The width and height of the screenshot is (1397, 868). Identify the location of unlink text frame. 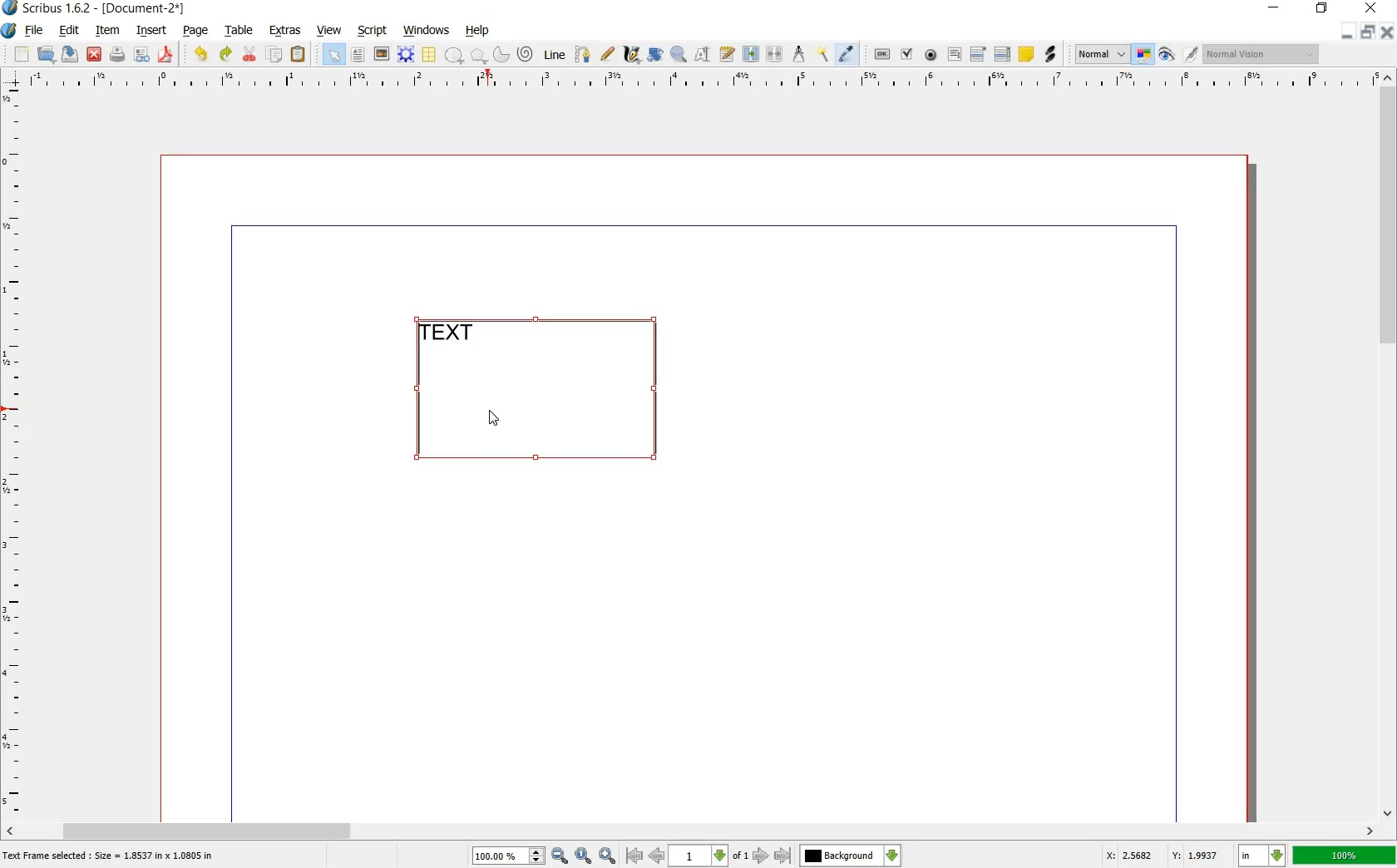
(776, 55).